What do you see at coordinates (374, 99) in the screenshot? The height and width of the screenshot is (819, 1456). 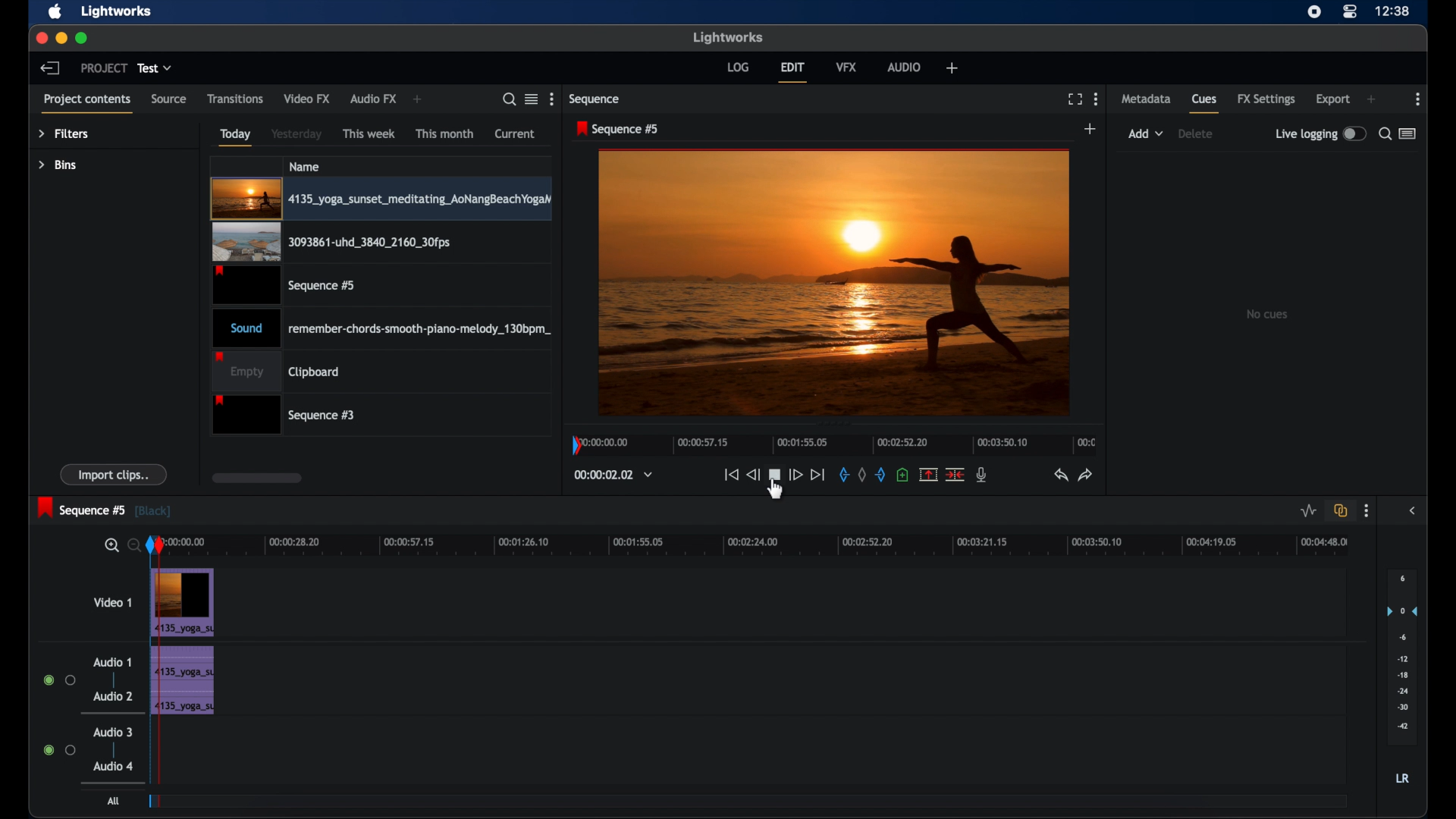 I see `audio fx` at bounding box center [374, 99].